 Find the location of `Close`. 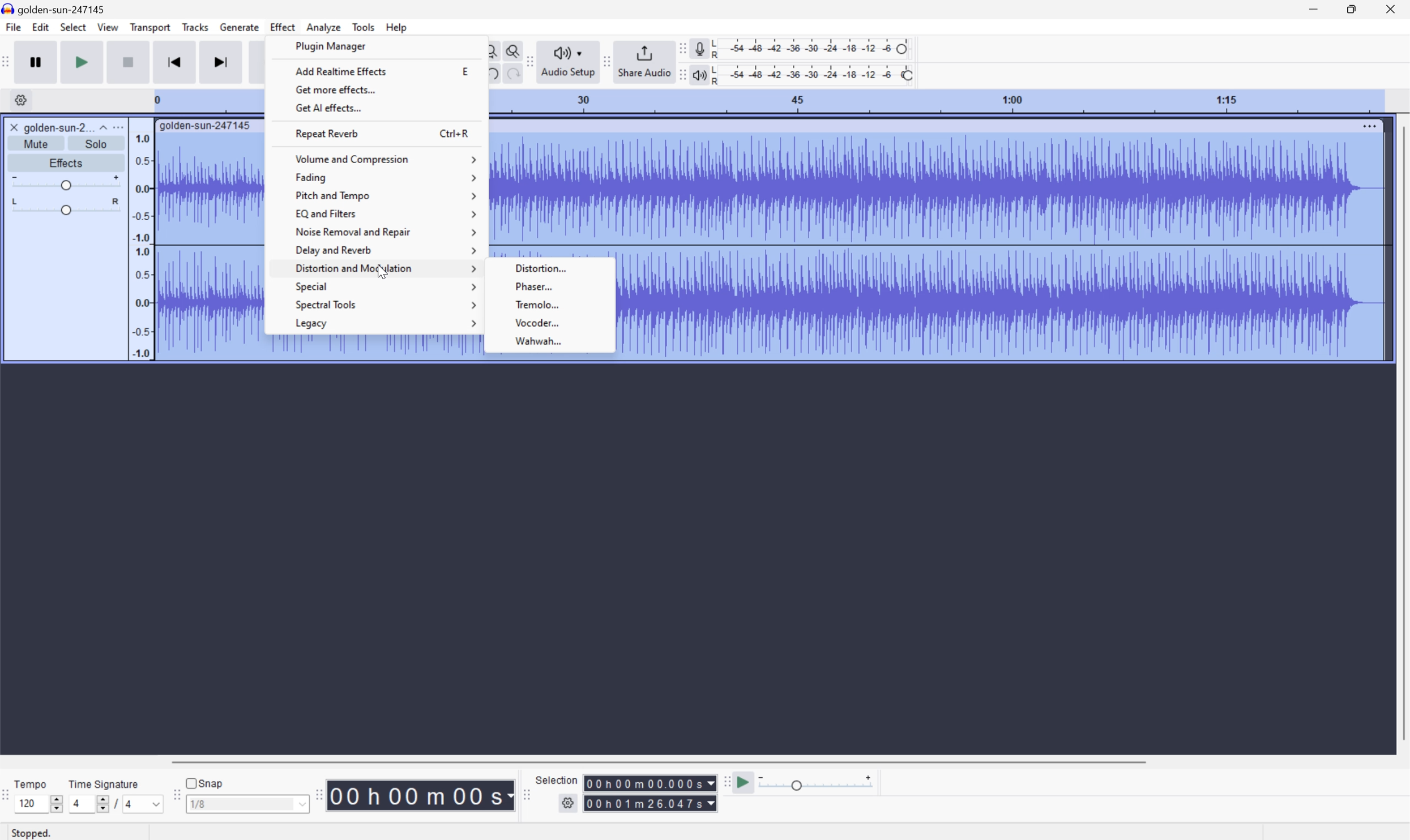

Close is located at coordinates (1394, 8).